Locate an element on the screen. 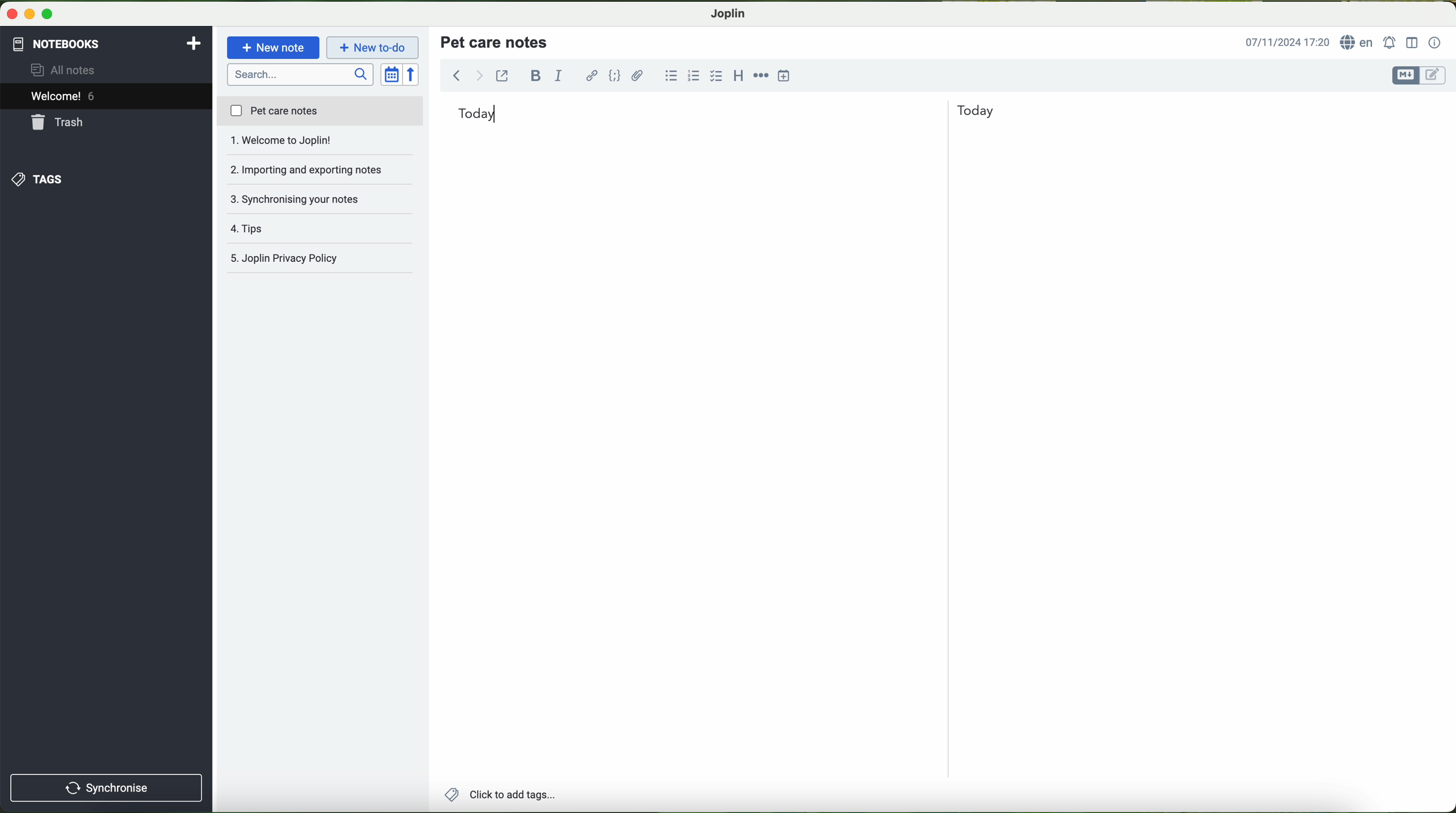 The image size is (1456, 813). insert time is located at coordinates (785, 75).